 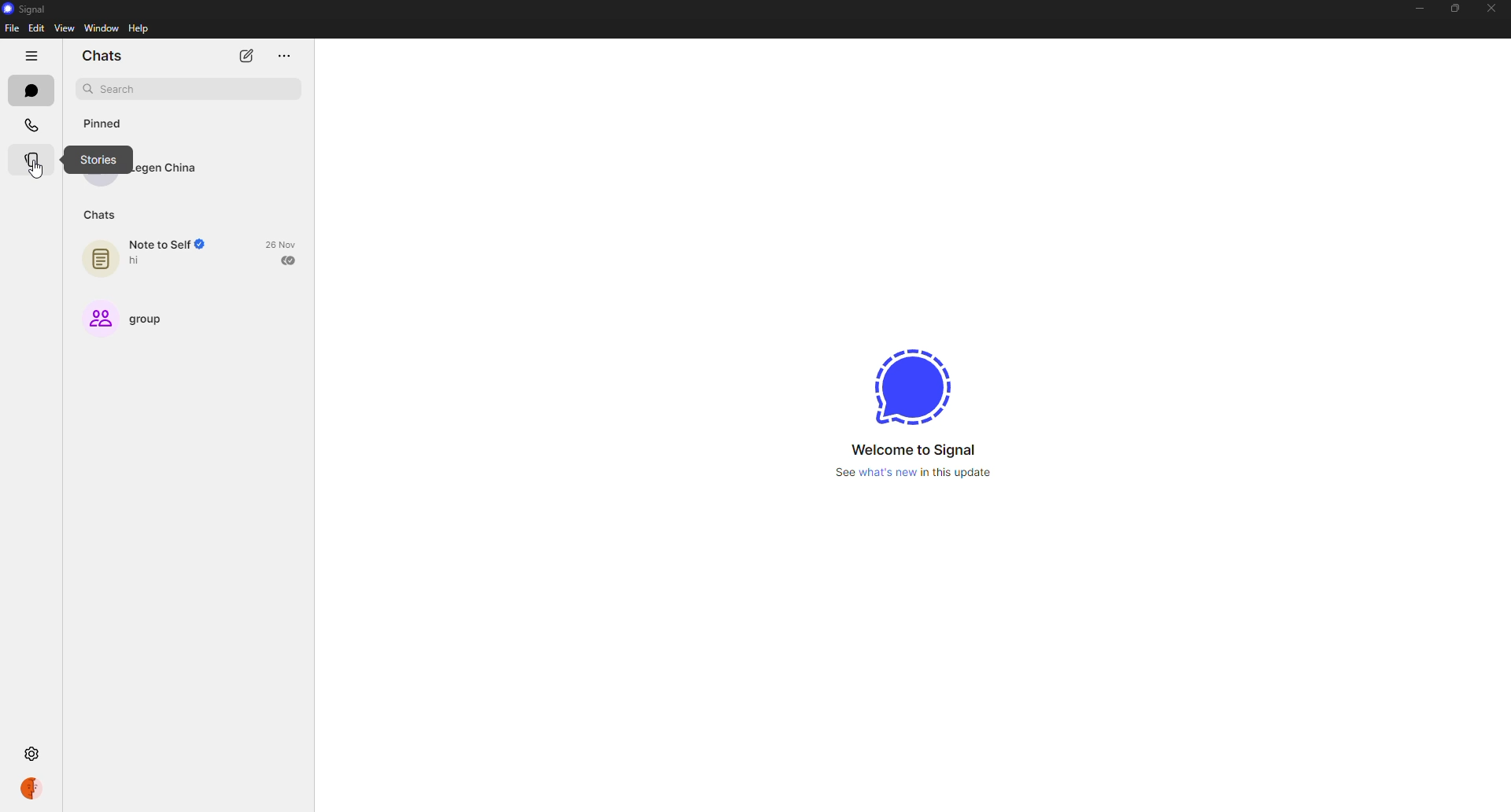 What do you see at coordinates (281, 54) in the screenshot?
I see `more` at bounding box center [281, 54].